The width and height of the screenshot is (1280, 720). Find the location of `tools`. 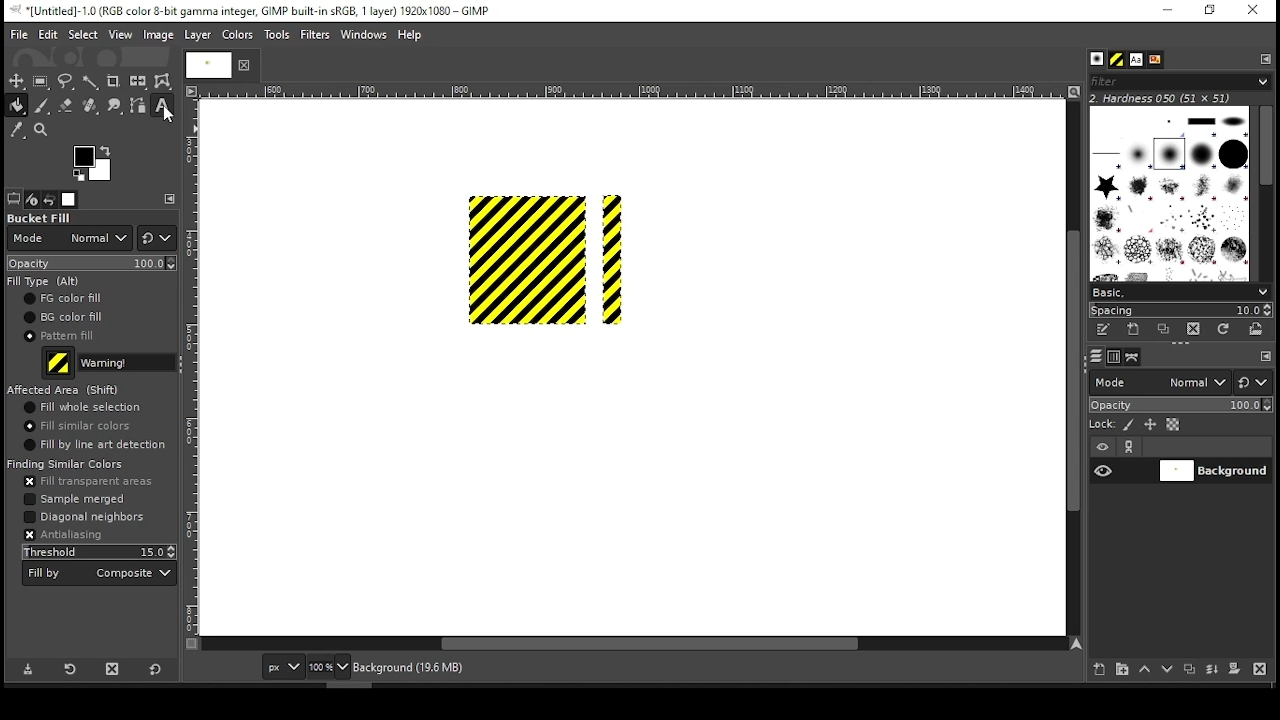

tools is located at coordinates (279, 36).